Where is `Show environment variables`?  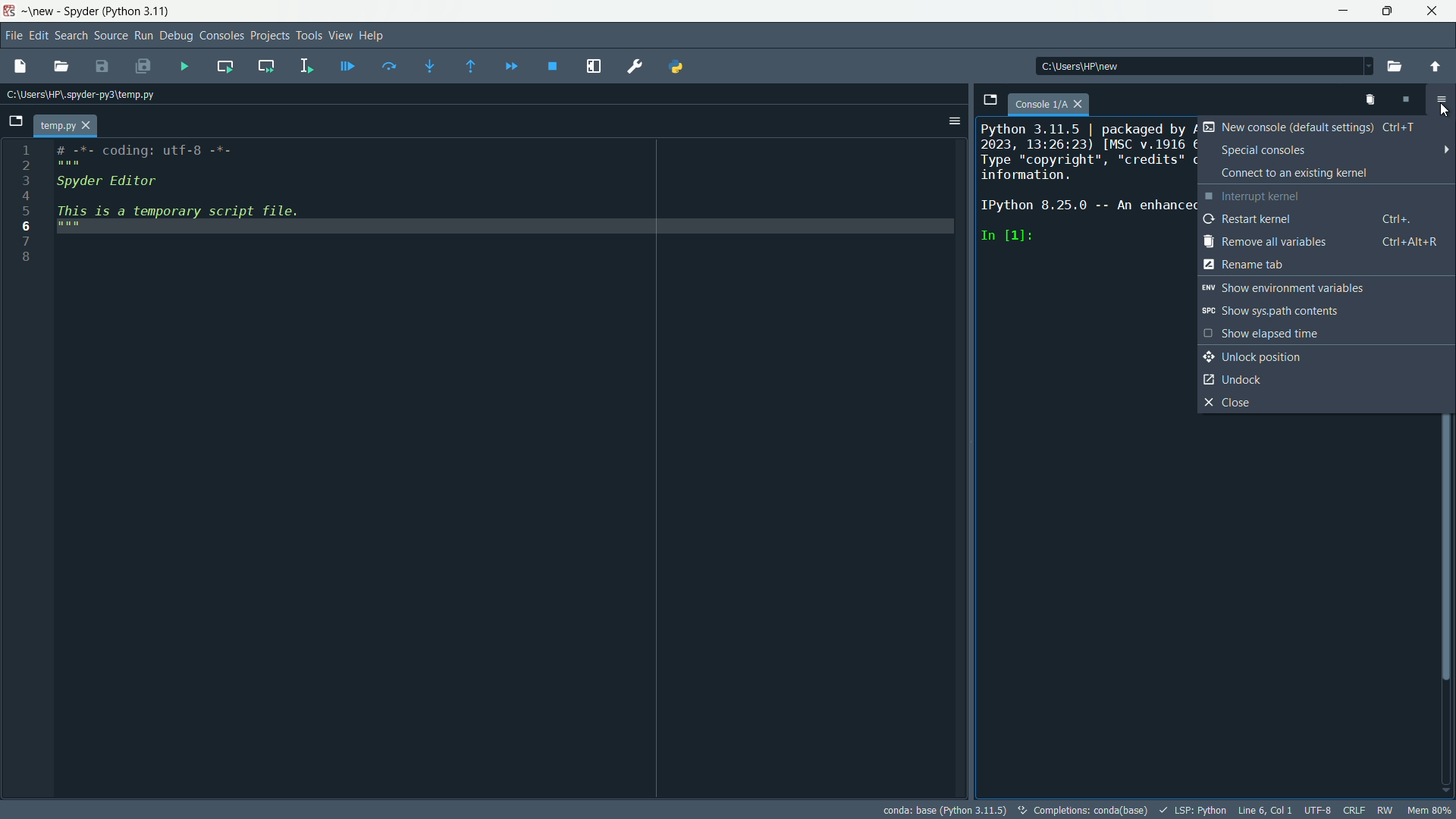 Show environment variables is located at coordinates (1298, 288).